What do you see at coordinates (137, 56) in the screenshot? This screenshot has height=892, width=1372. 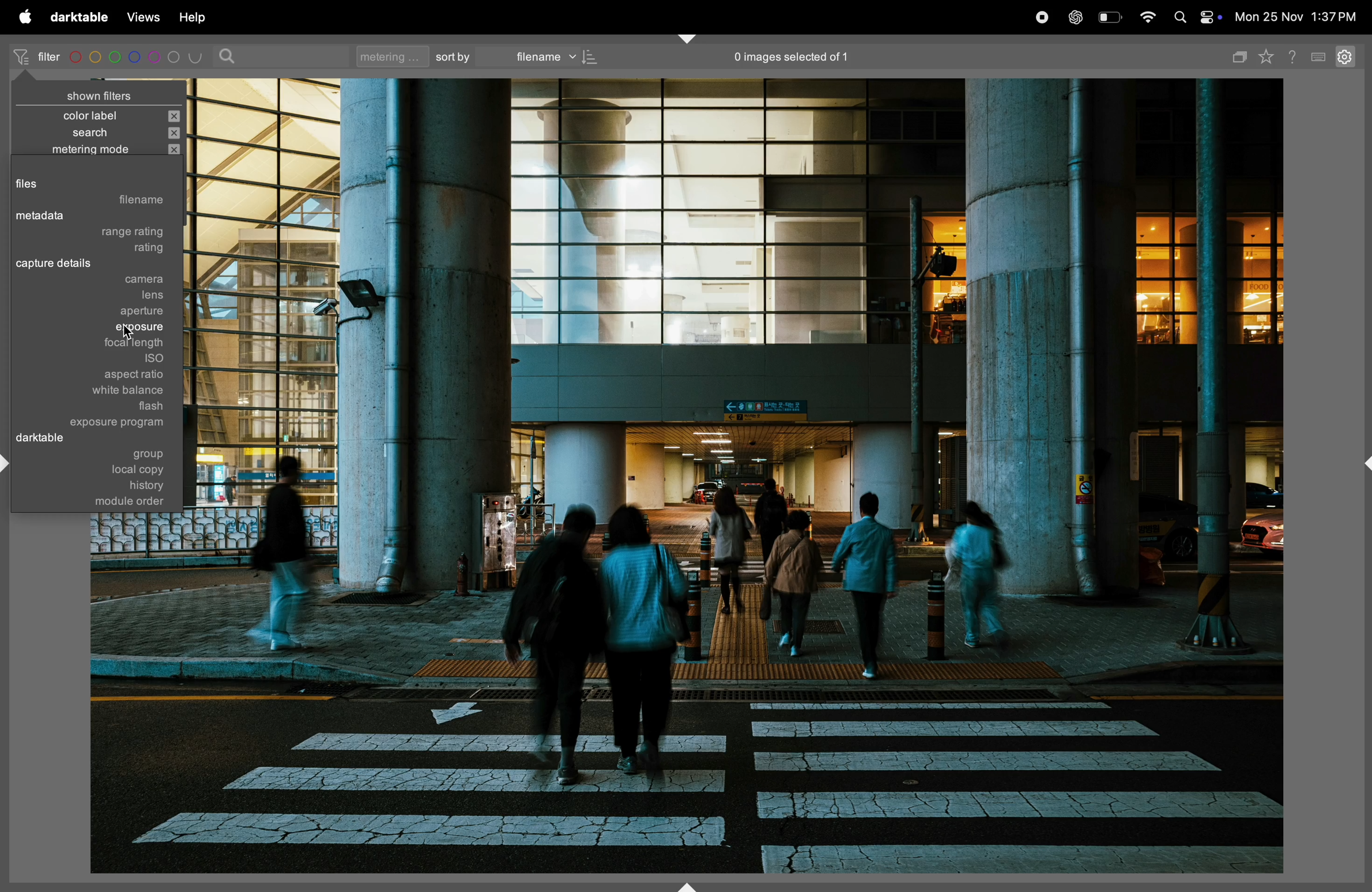 I see `color code` at bounding box center [137, 56].